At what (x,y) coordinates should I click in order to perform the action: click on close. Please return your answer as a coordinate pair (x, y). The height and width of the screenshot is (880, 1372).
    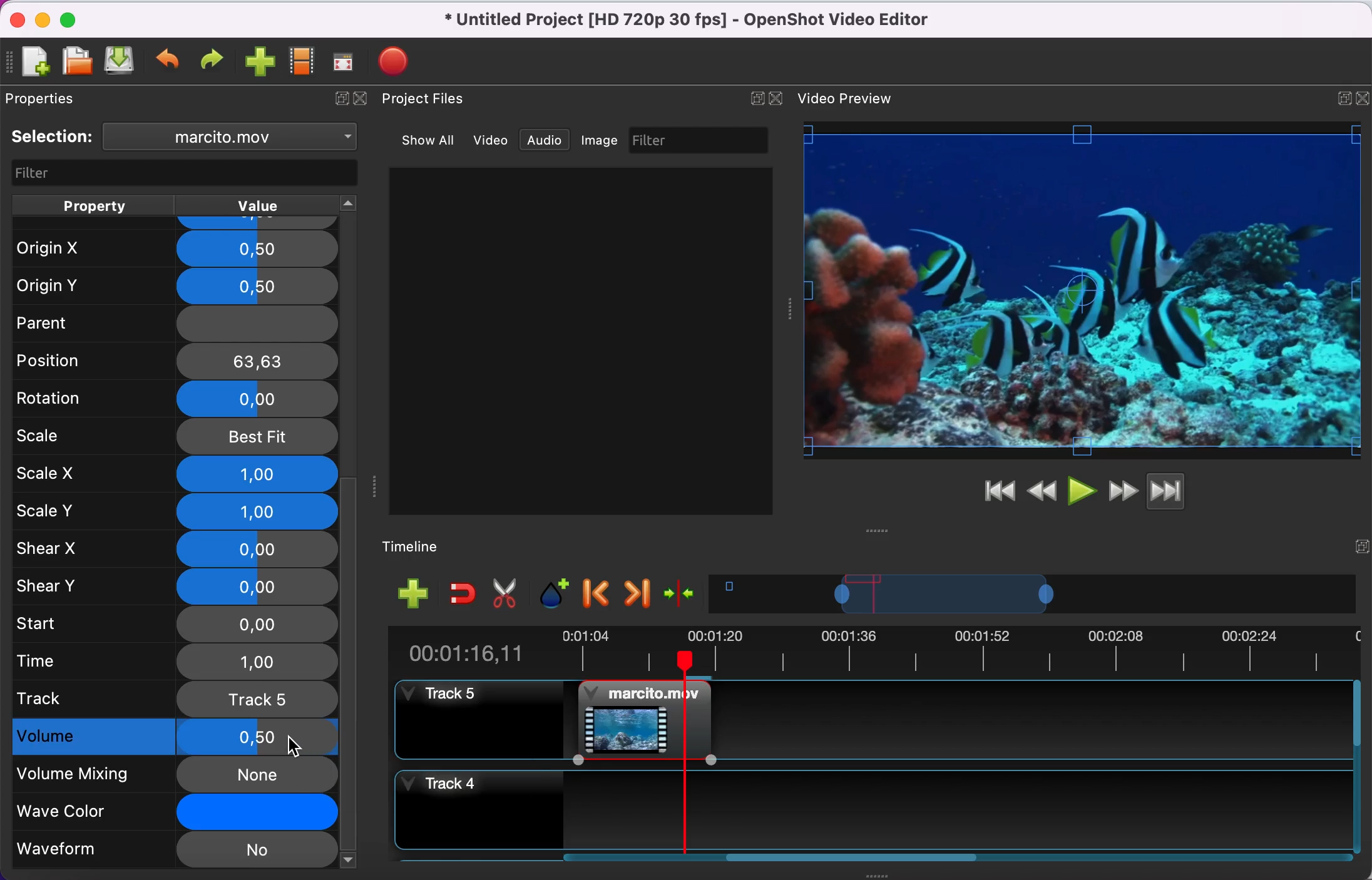
    Looking at the image, I should click on (779, 97).